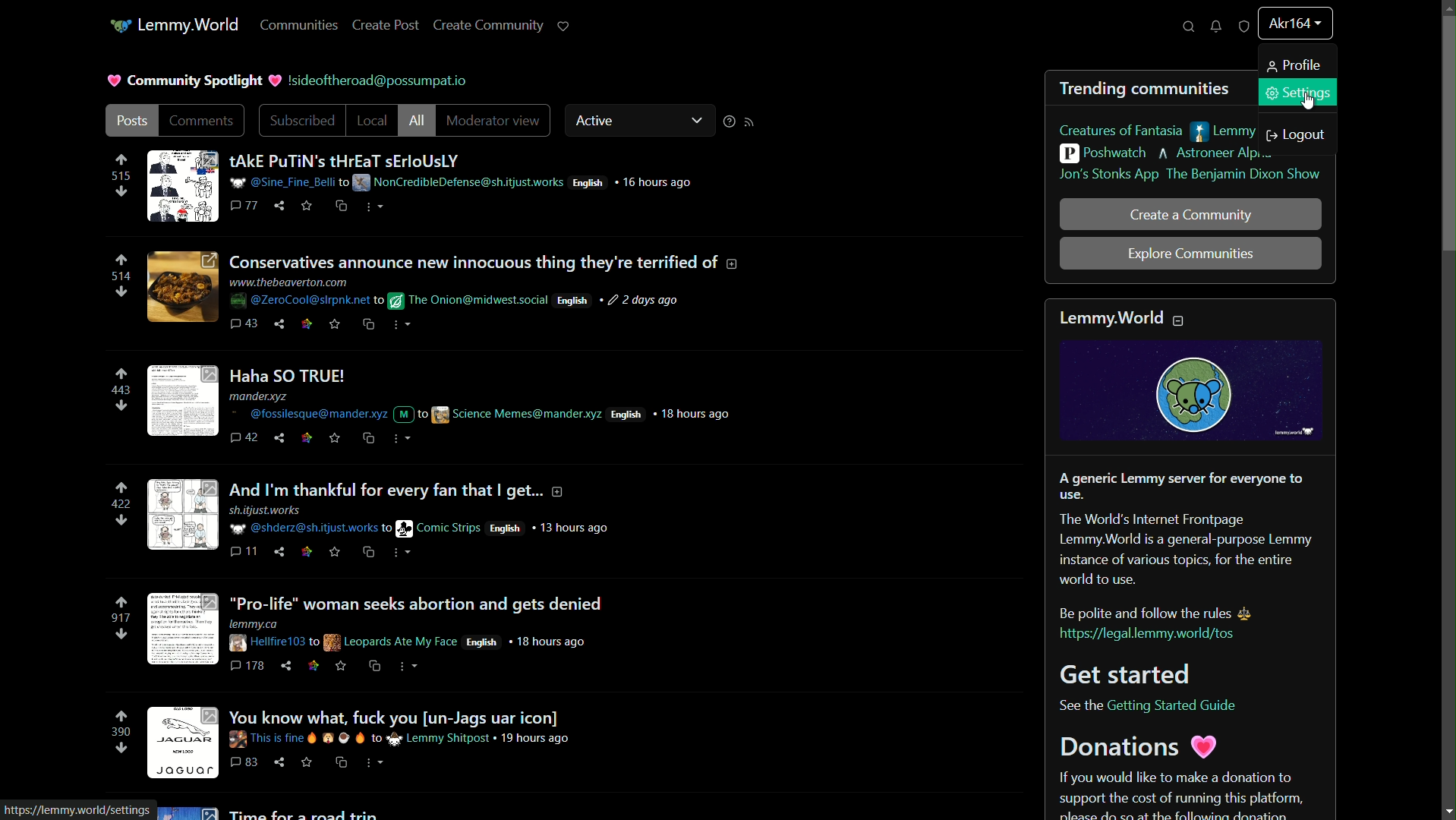 Image resolution: width=1456 pixels, height=820 pixels. What do you see at coordinates (120, 506) in the screenshot?
I see `number of votes` at bounding box center [120, 506].